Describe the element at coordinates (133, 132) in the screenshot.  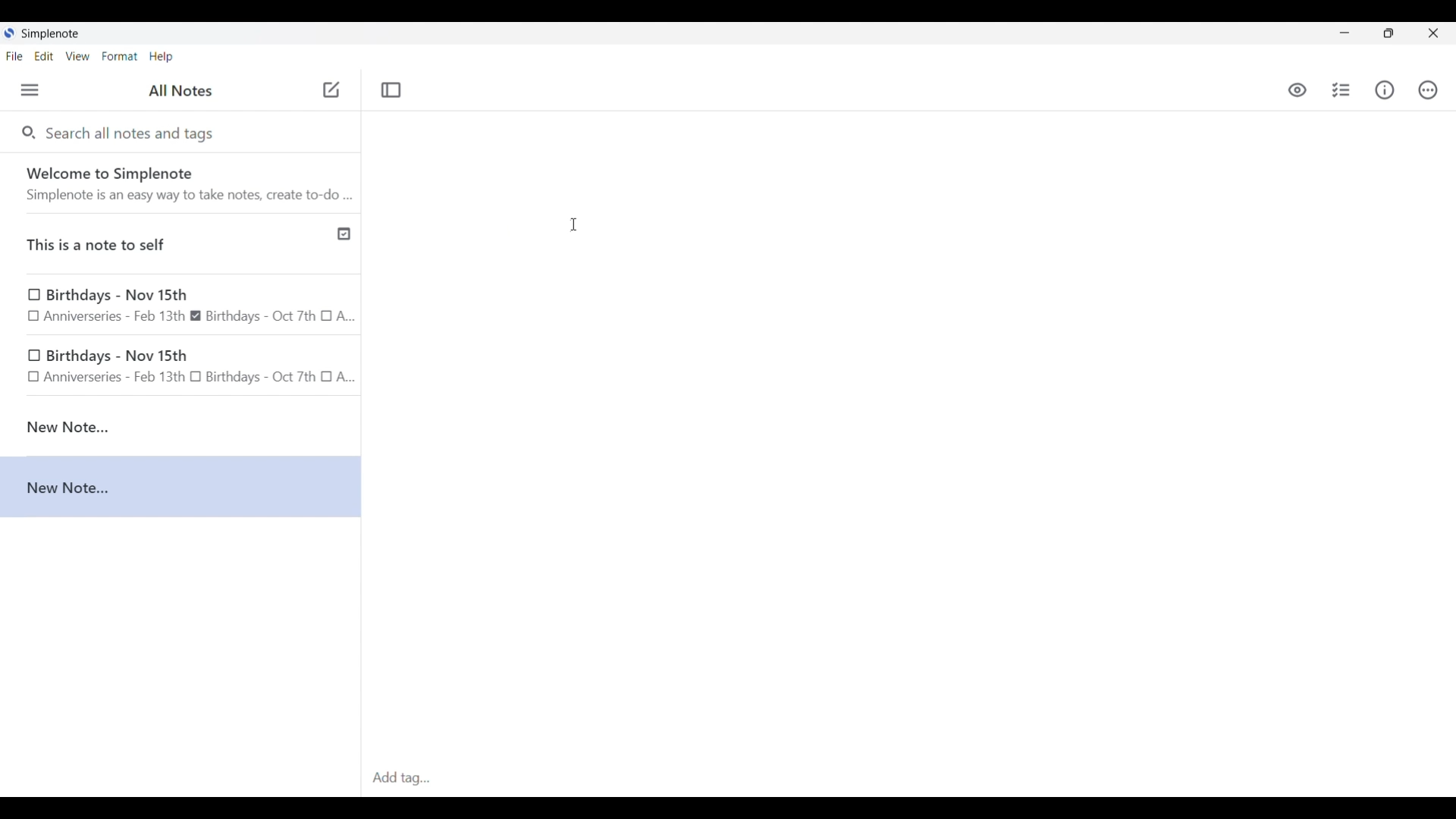
I see `Search all notes and tags` at that location.